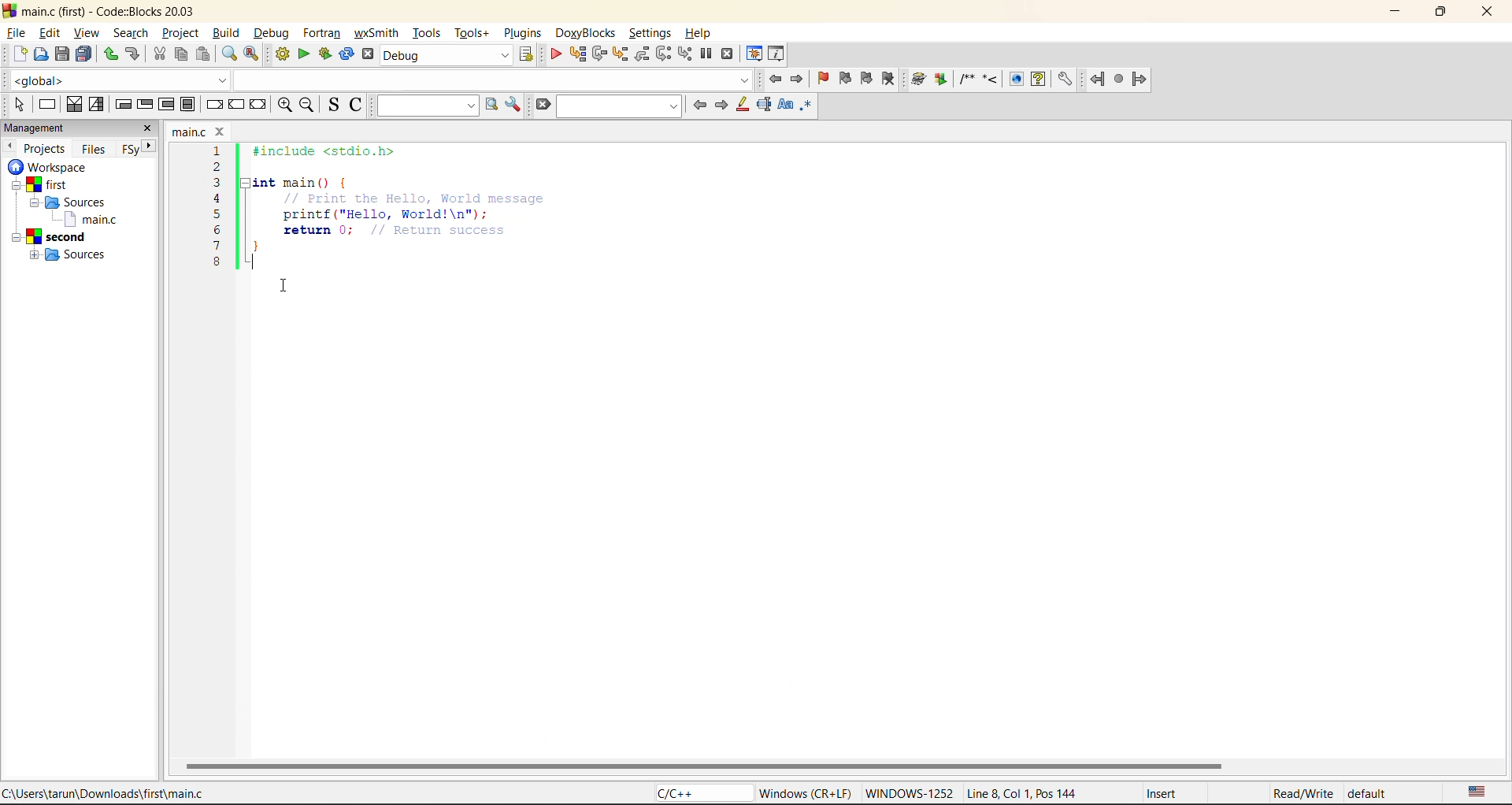 This screenshot has width=1512, height=805. I want to click on selected text, so click(764, 105).